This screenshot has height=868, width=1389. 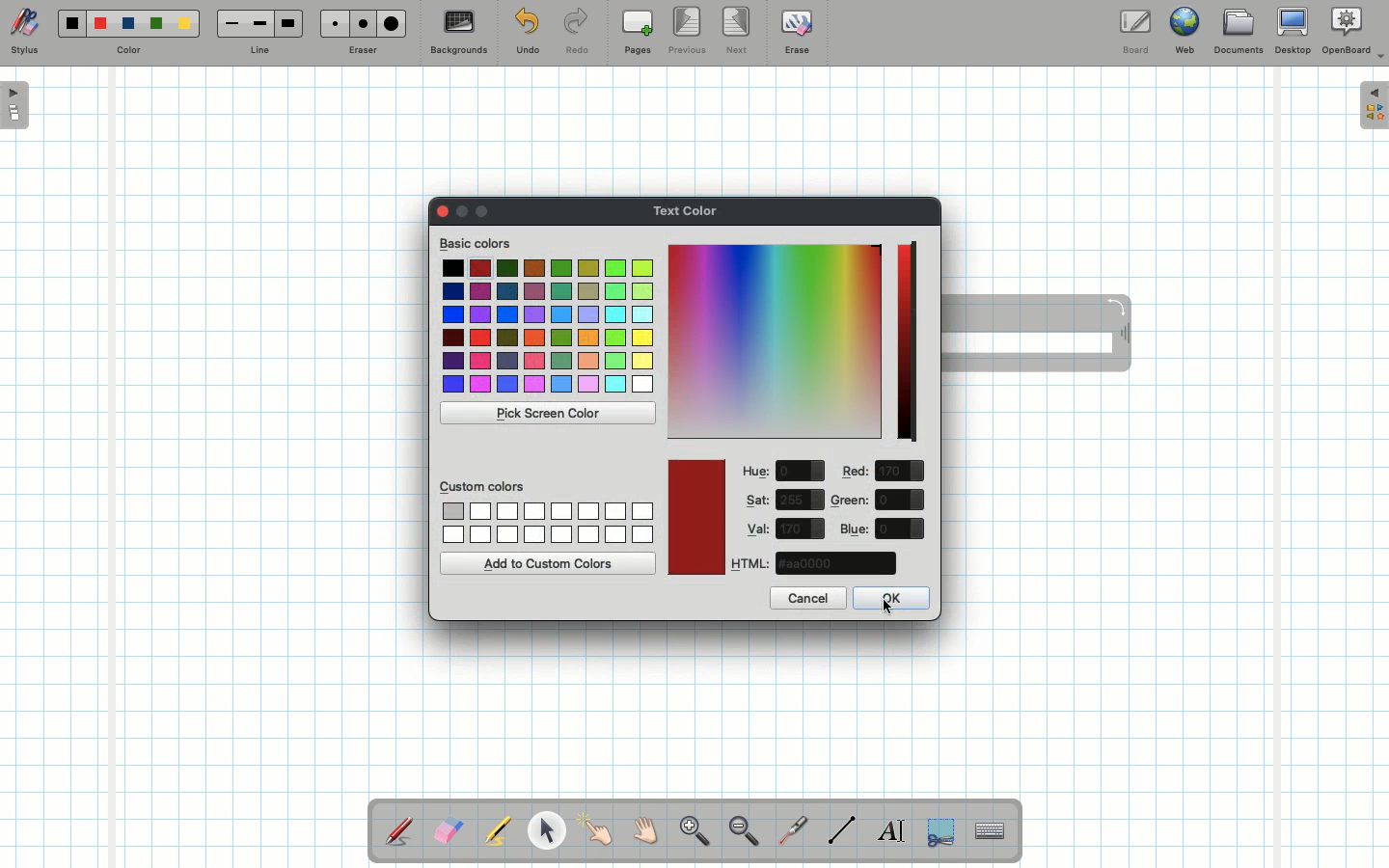 I want to click on value, so click(x=901, y=472).